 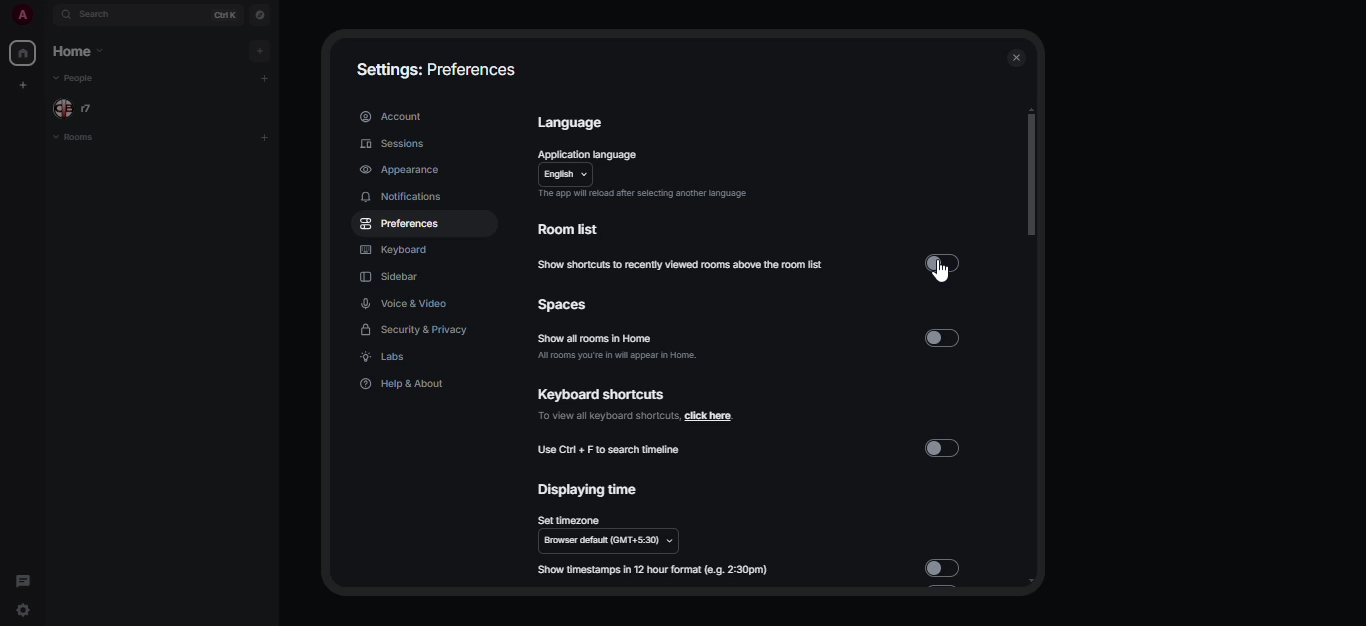 What do you see at coordinates (402, 170) in the screenshot?
I see `appearance` at bounding box center [402, 170].